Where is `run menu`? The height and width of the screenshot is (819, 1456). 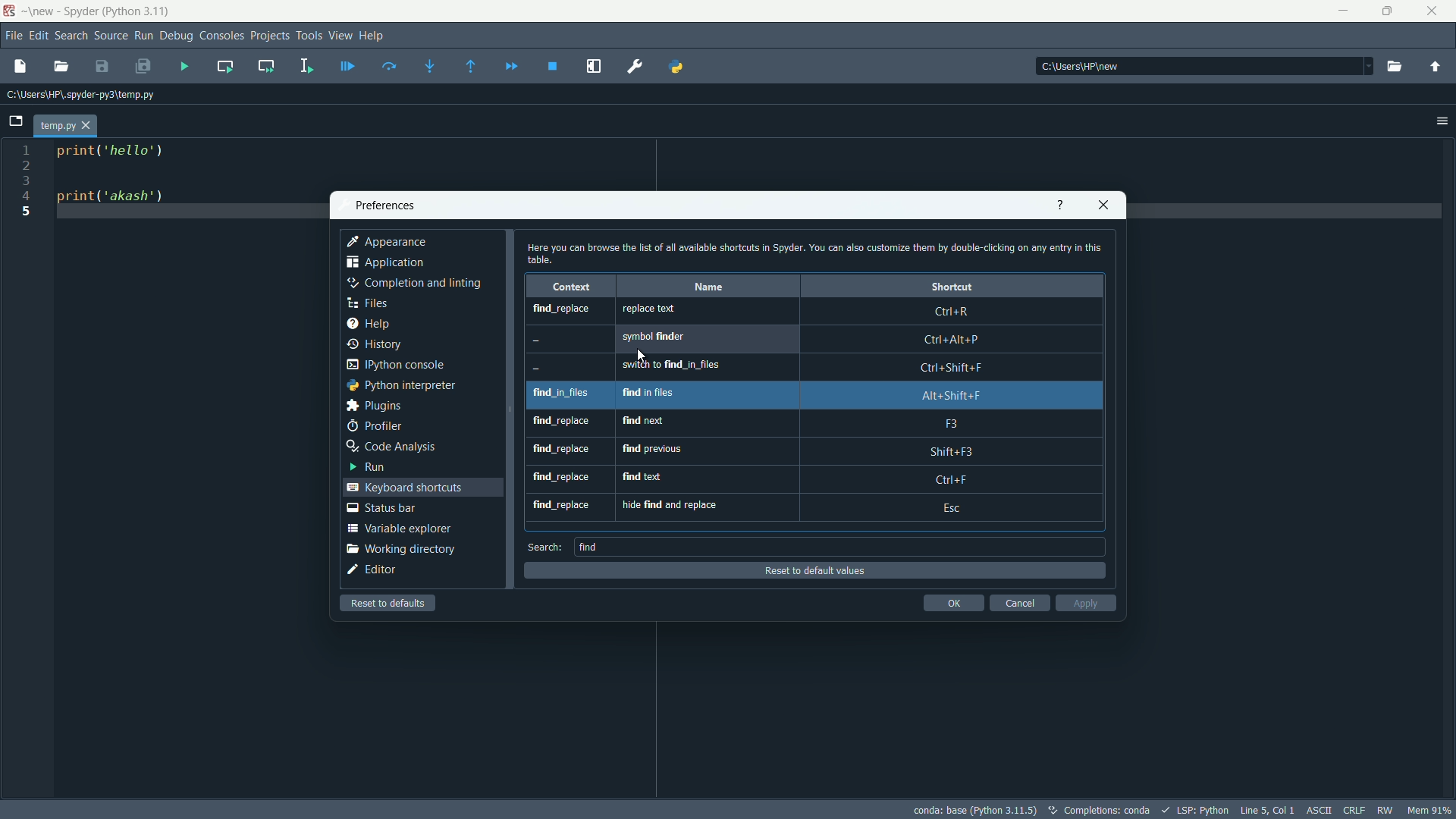
run menu is located at coordinates (144, 35).